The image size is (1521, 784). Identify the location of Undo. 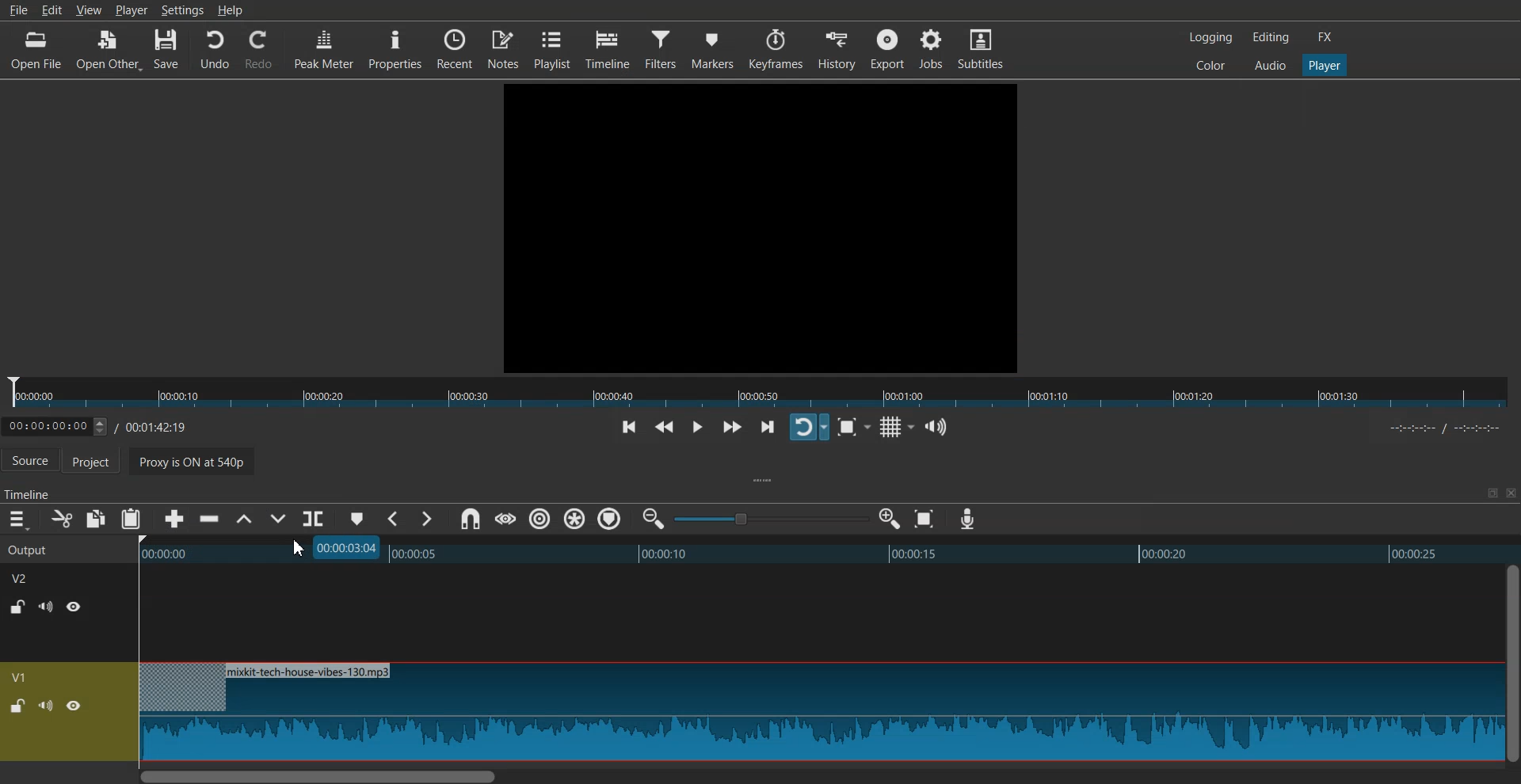
(215, 50).